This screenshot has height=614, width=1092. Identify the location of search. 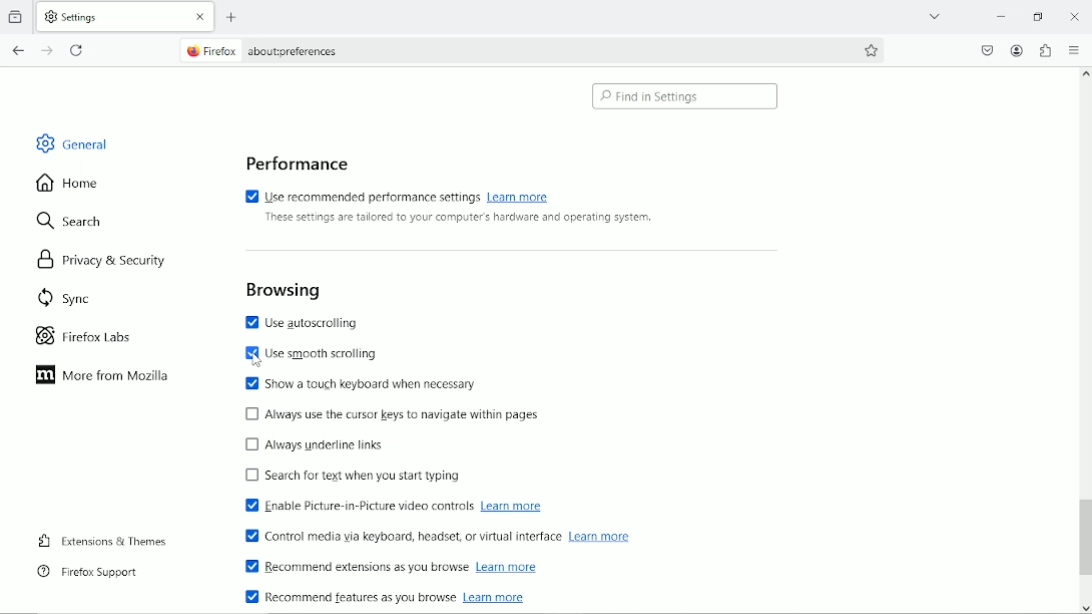
(72, 222).